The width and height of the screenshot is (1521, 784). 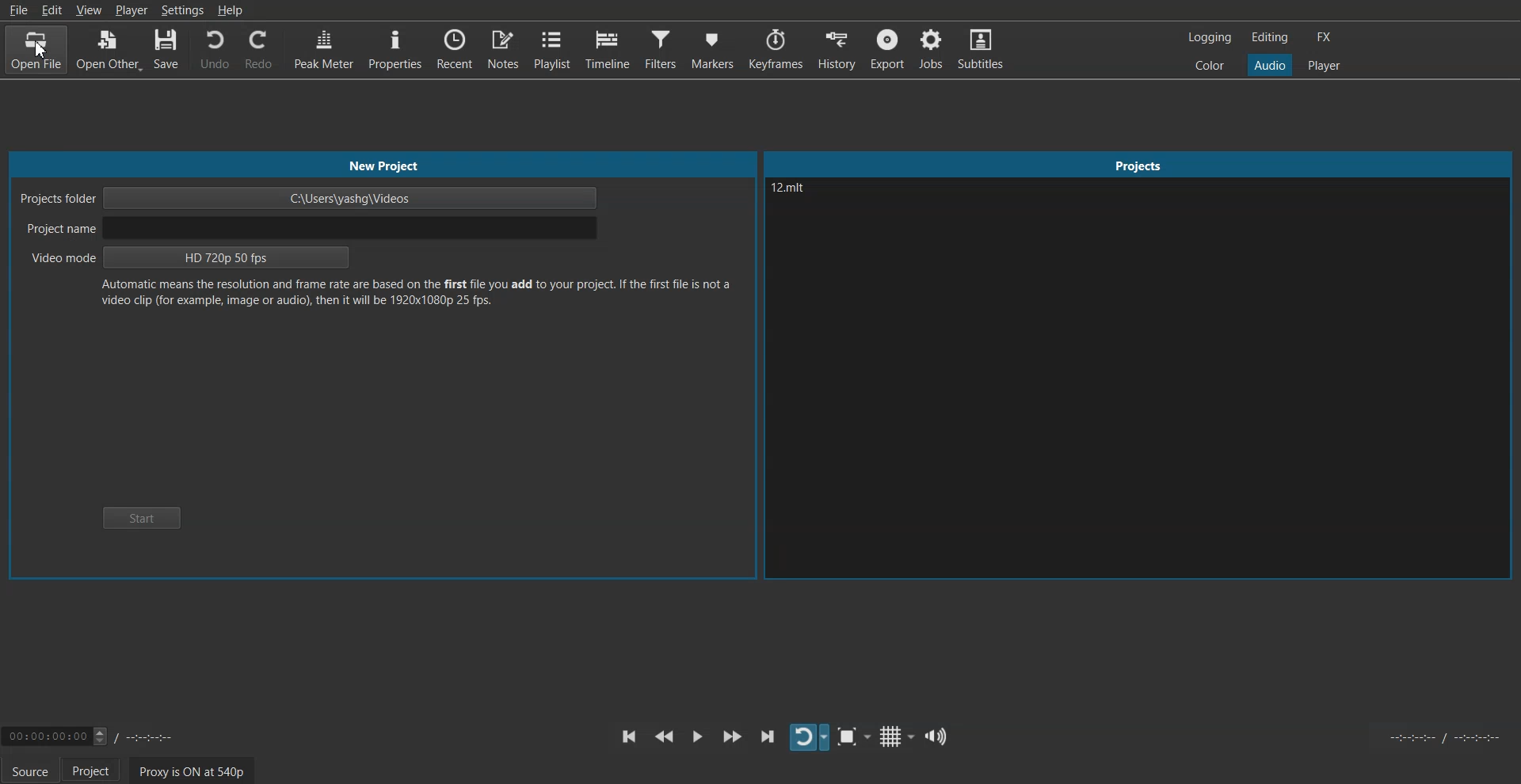 What do you see at coordinates (503, 50) in the screenshot?
I see `Notes` at bounding box center [503, 50].